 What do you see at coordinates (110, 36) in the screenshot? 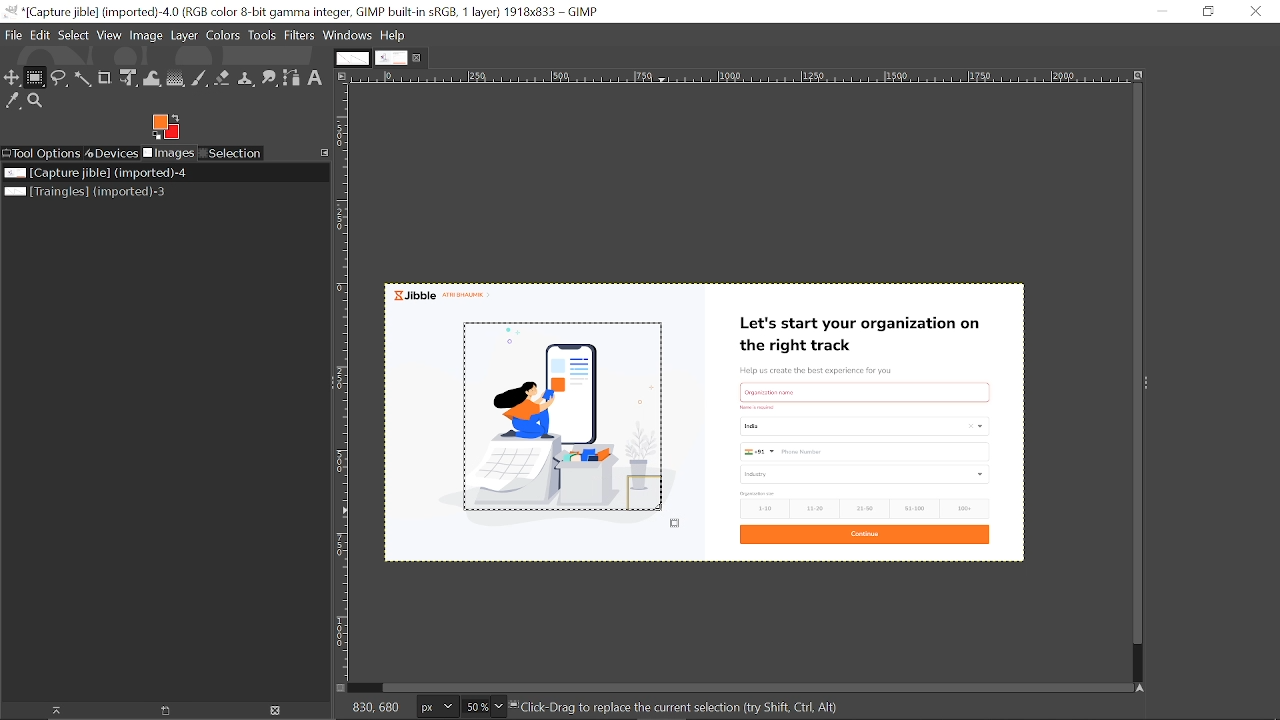
I see `View` at bounding box center [110, 36].